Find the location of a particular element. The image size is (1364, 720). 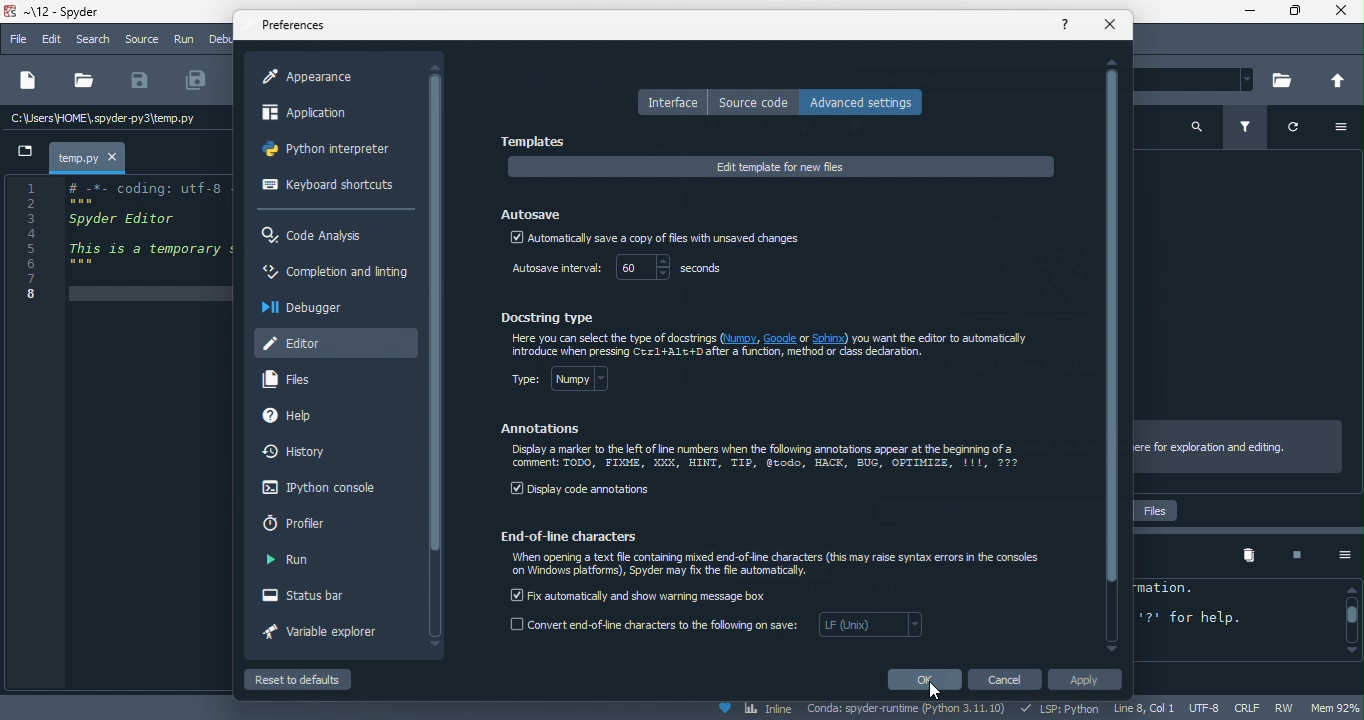

source code is located at coordinates (754, 102).